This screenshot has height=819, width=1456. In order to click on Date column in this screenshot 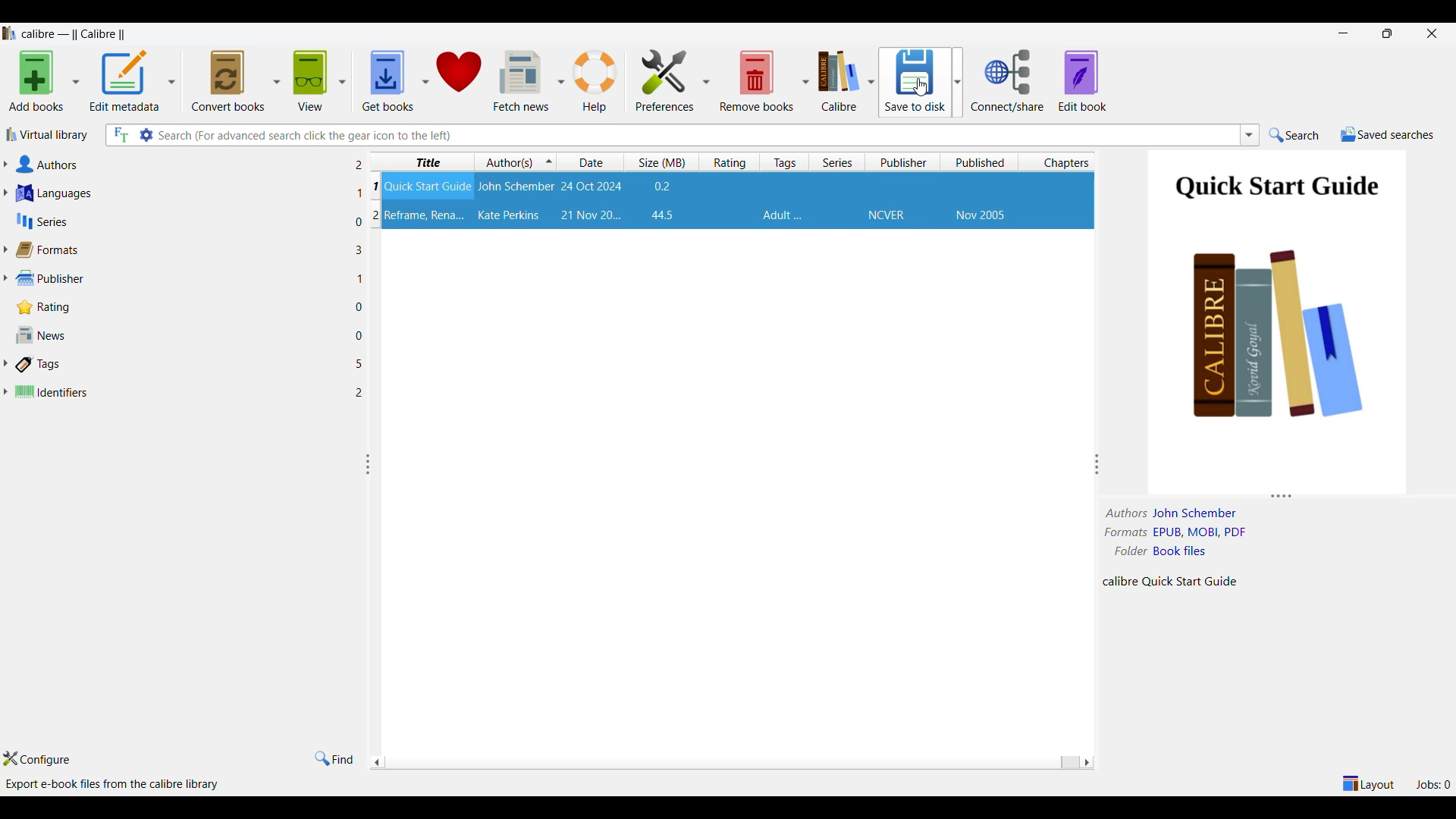, I will do `click(593, 162)`.